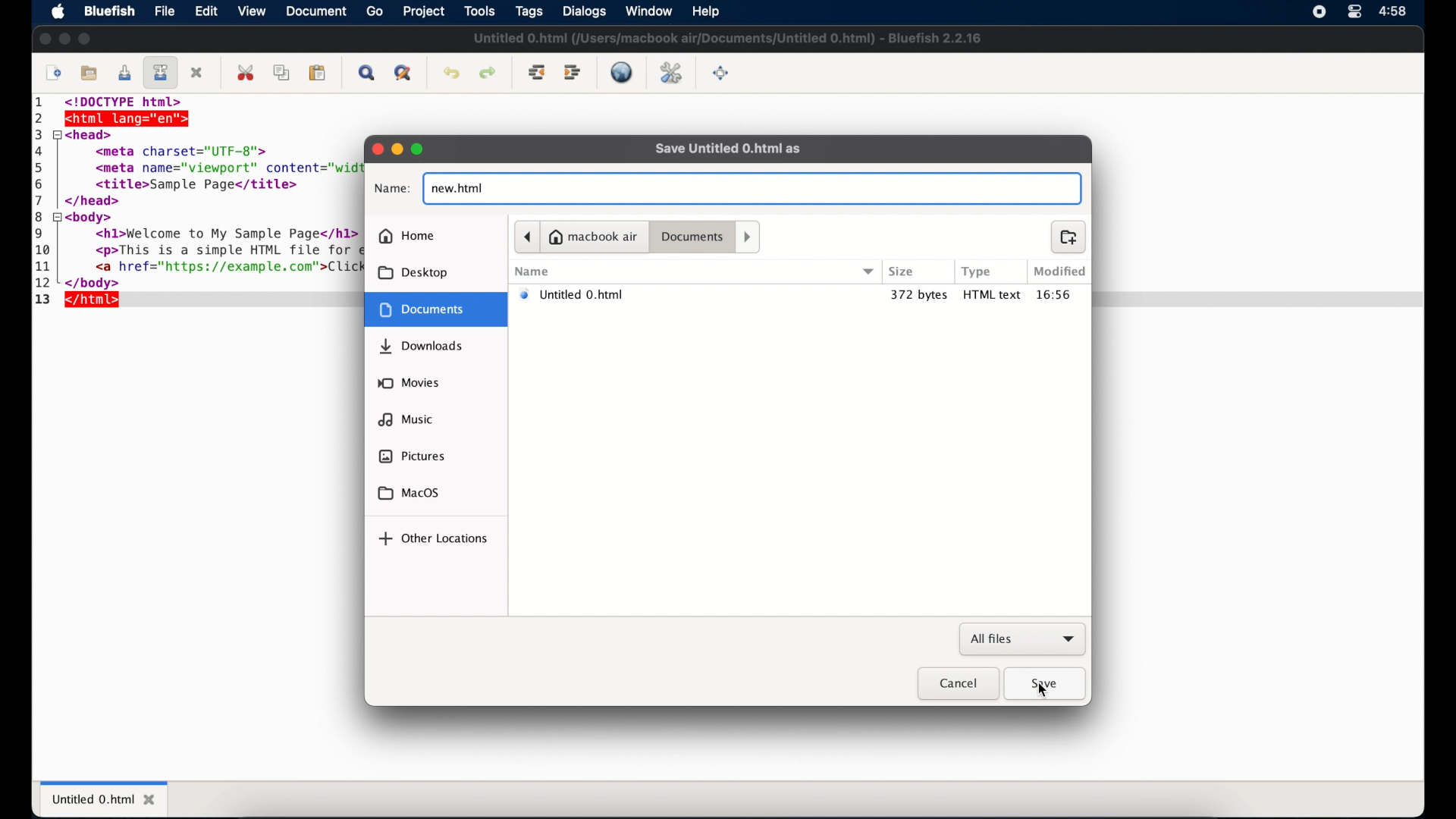 The height and width of the screenshot is (819, 1456). What do you see at coordinates (406, 419) in the screenshot?
I see `music` at bounding box center [406, 419].